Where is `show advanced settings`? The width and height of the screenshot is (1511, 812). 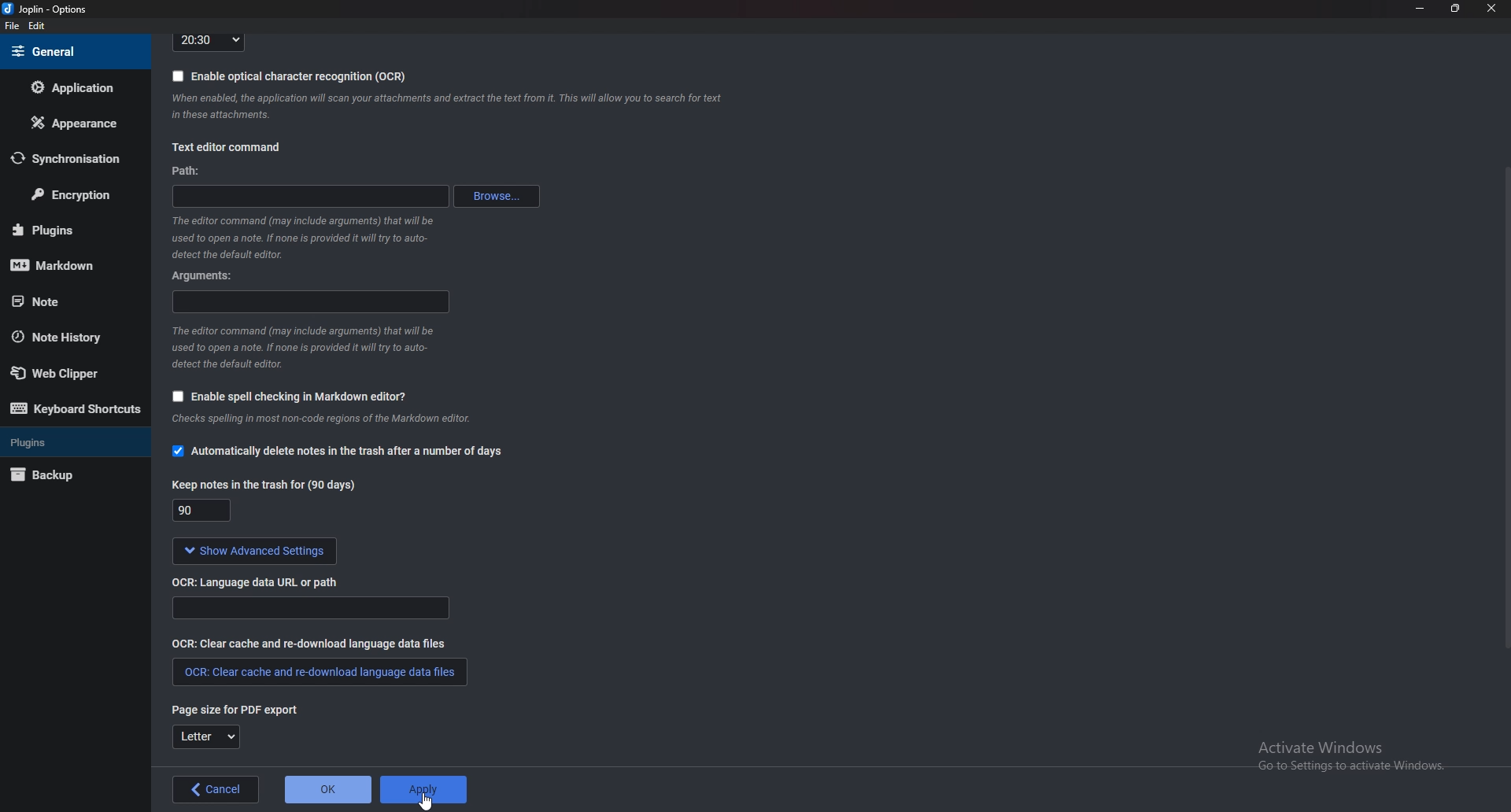
show advanced settings is located at coordinates (251, 552).